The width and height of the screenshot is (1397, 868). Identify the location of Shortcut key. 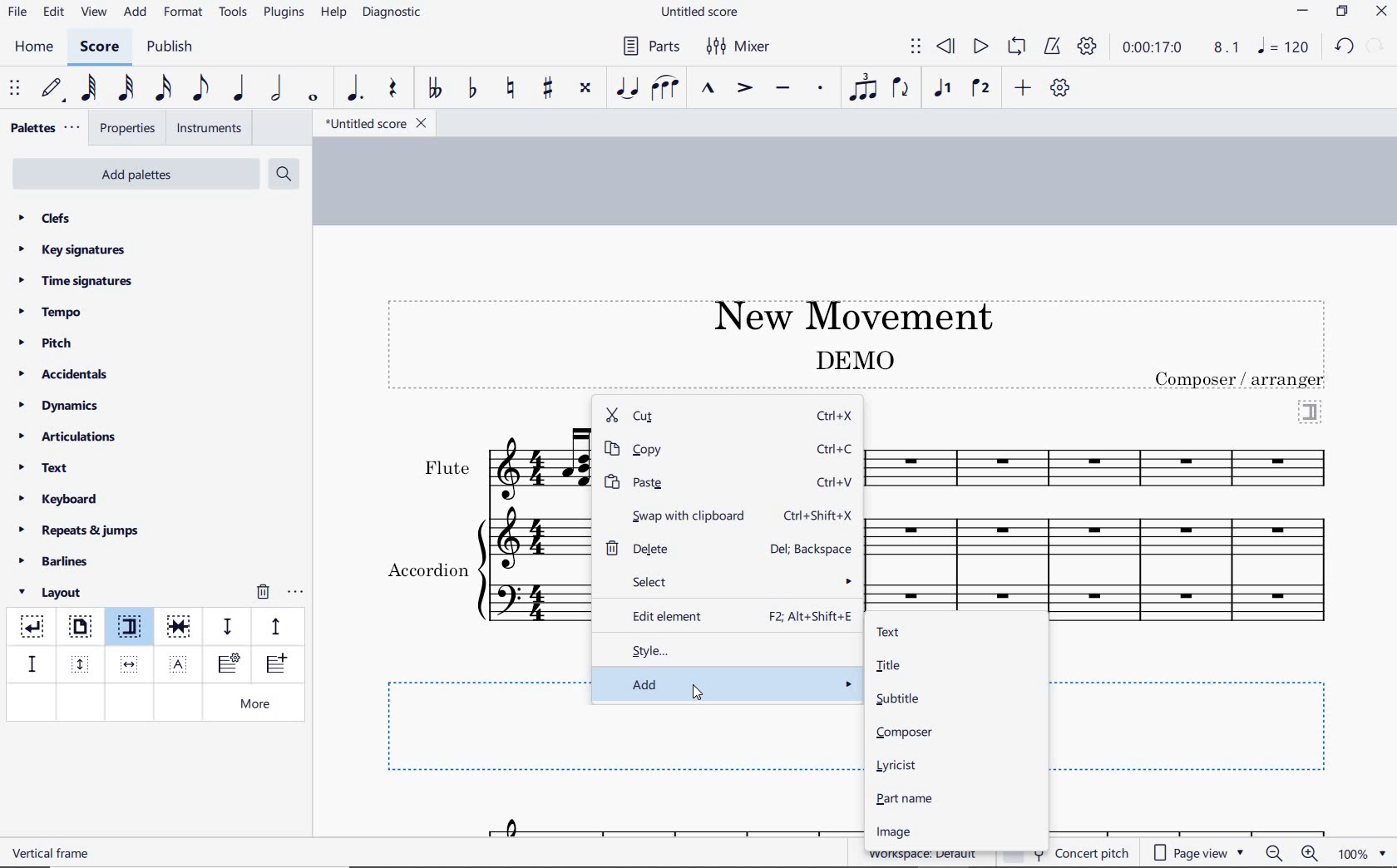
(813, 549).